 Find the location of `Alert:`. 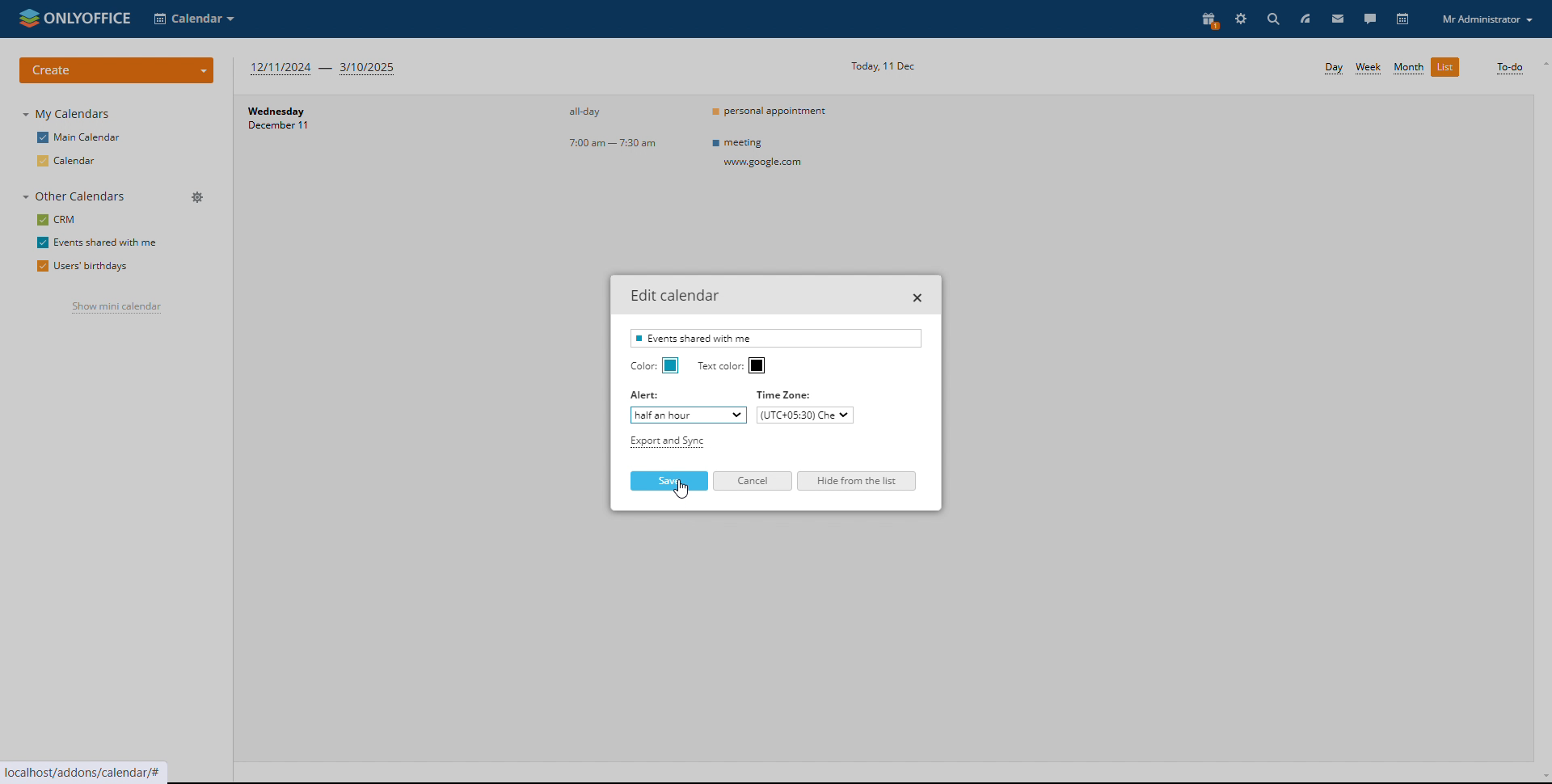

Alert: is located at coordinates (646, 396).